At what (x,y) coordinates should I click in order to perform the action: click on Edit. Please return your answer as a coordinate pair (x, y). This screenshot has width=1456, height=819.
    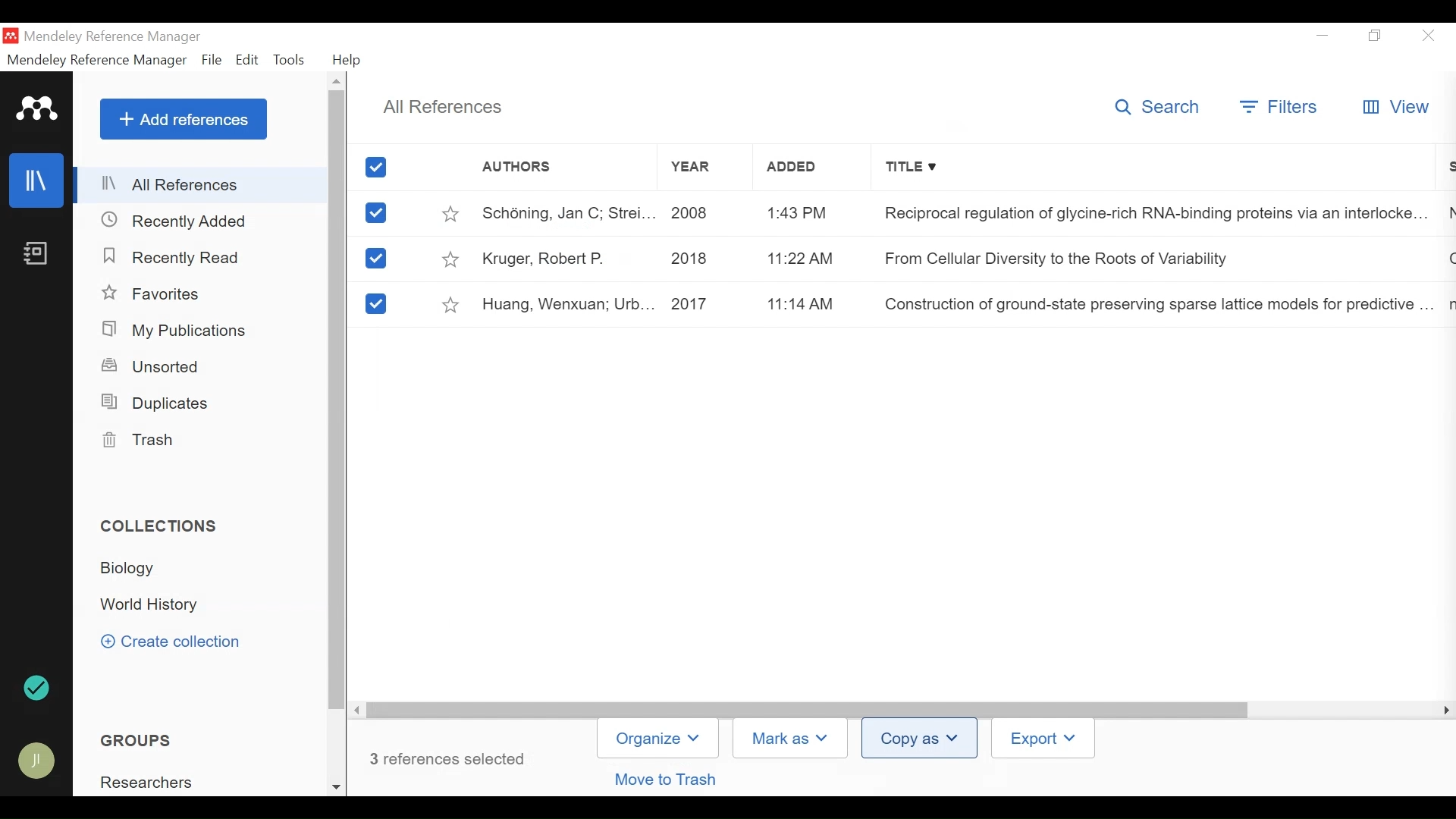
    Looking at the image, I should click on (246, 60).